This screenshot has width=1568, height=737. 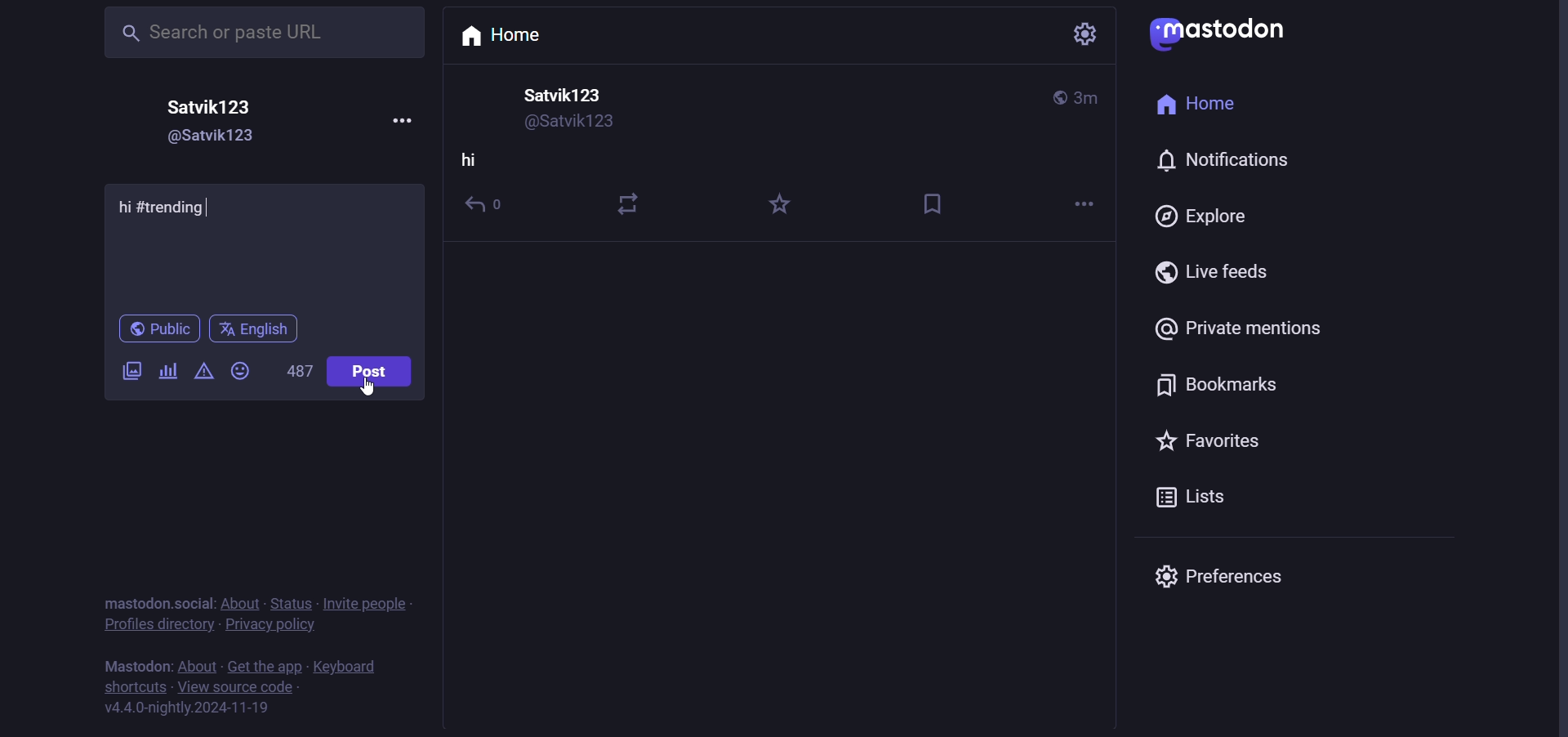 I want to click on user id, so click(x=207, y=140).